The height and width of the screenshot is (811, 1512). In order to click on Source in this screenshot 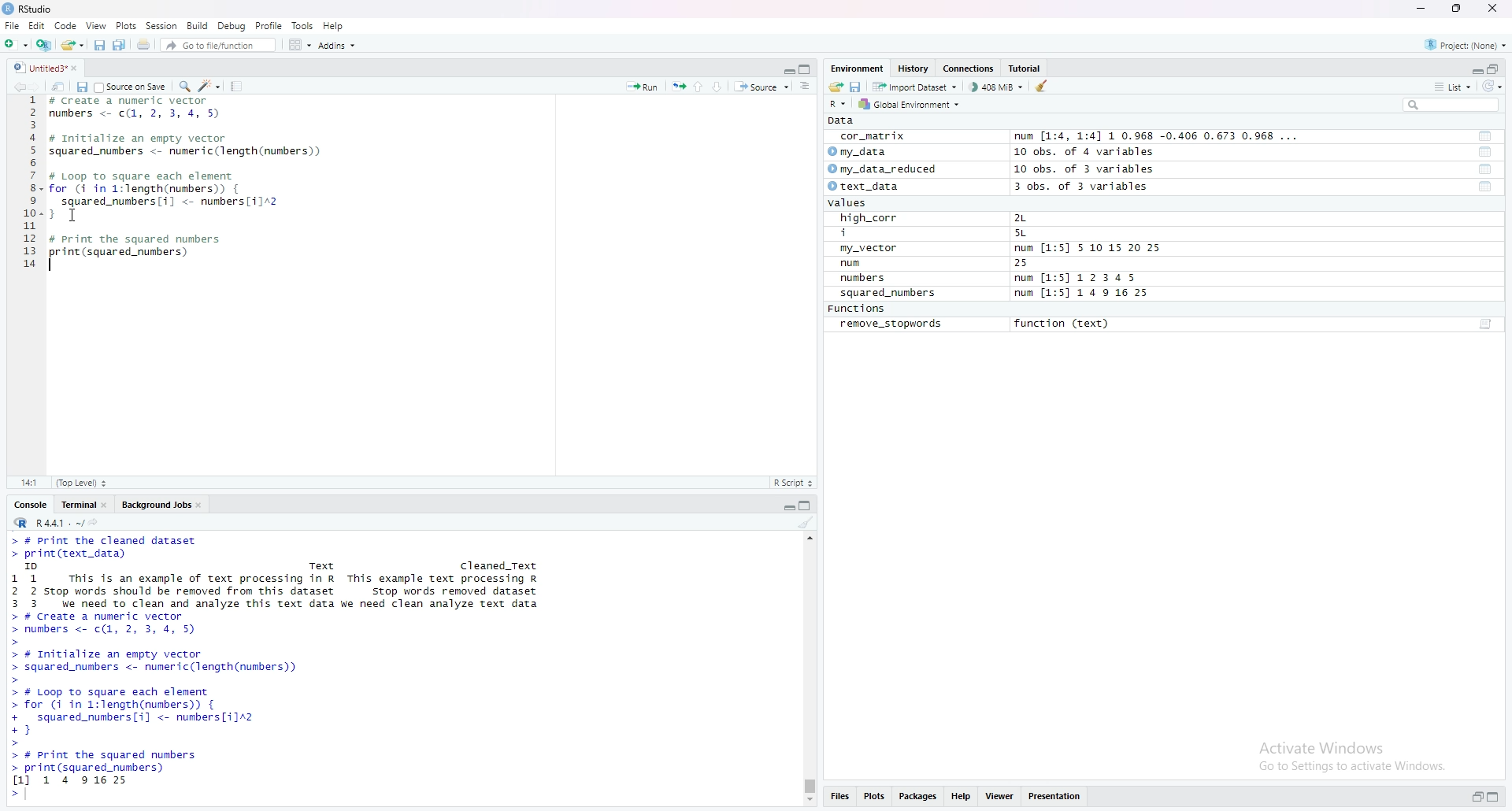, I will do `click(762, 86)`.